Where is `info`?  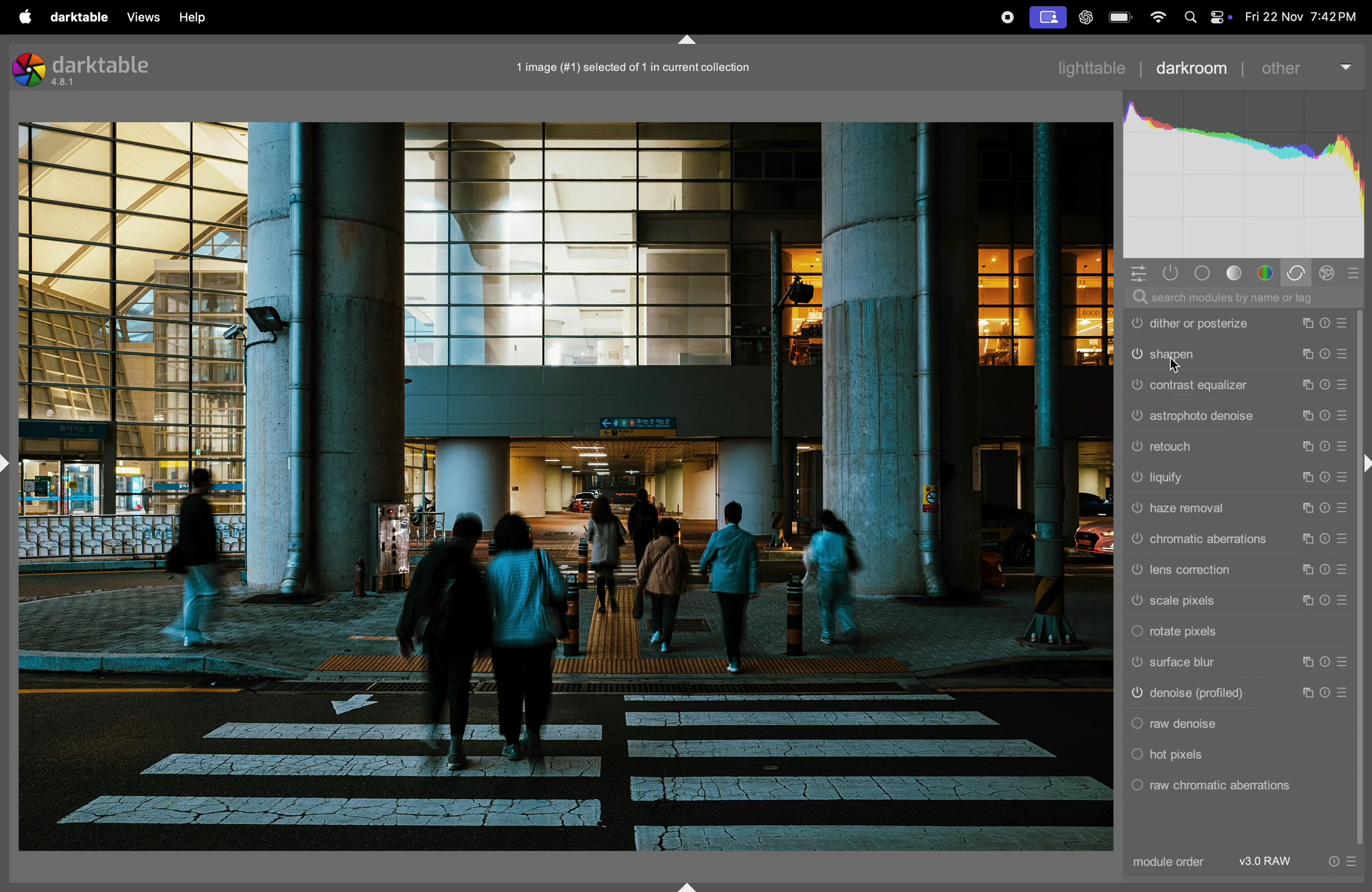 info is located at coordinates (1340, 861).